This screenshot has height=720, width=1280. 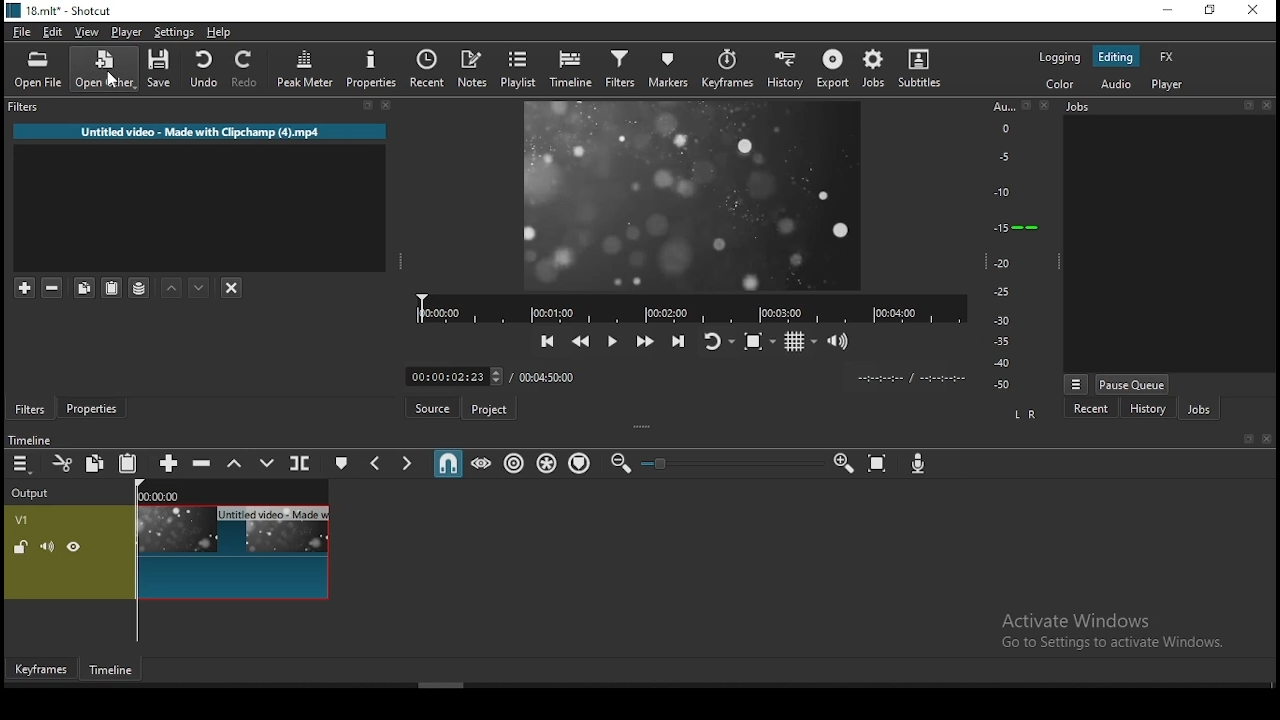 I want to click on split at playhead, so click(x=427, y=68).